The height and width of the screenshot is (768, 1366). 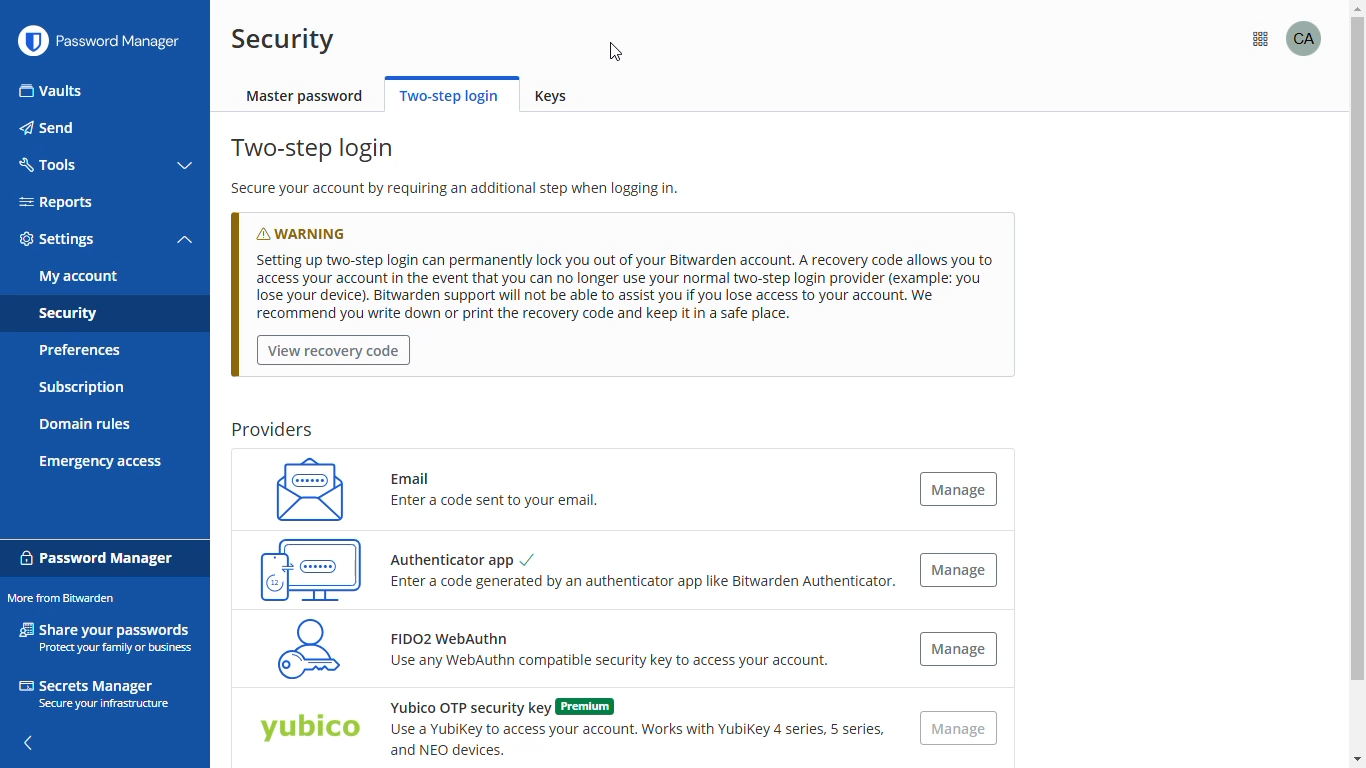 I want to click on Enter a code sent to your email., so click(x=496, y=504).